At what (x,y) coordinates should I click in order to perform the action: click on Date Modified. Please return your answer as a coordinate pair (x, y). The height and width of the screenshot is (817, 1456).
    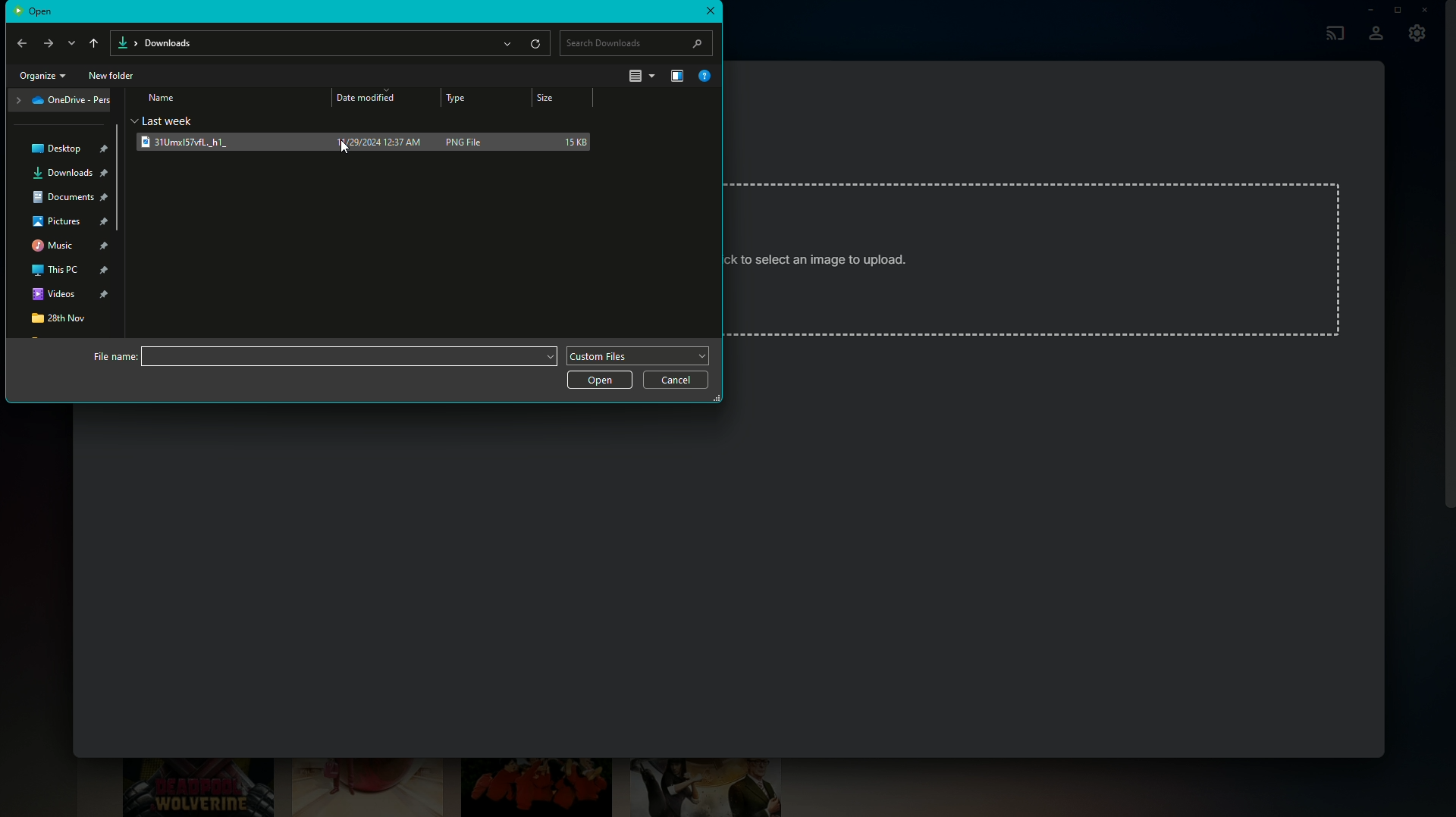
    Looking at the image, I should click on (369, 99).